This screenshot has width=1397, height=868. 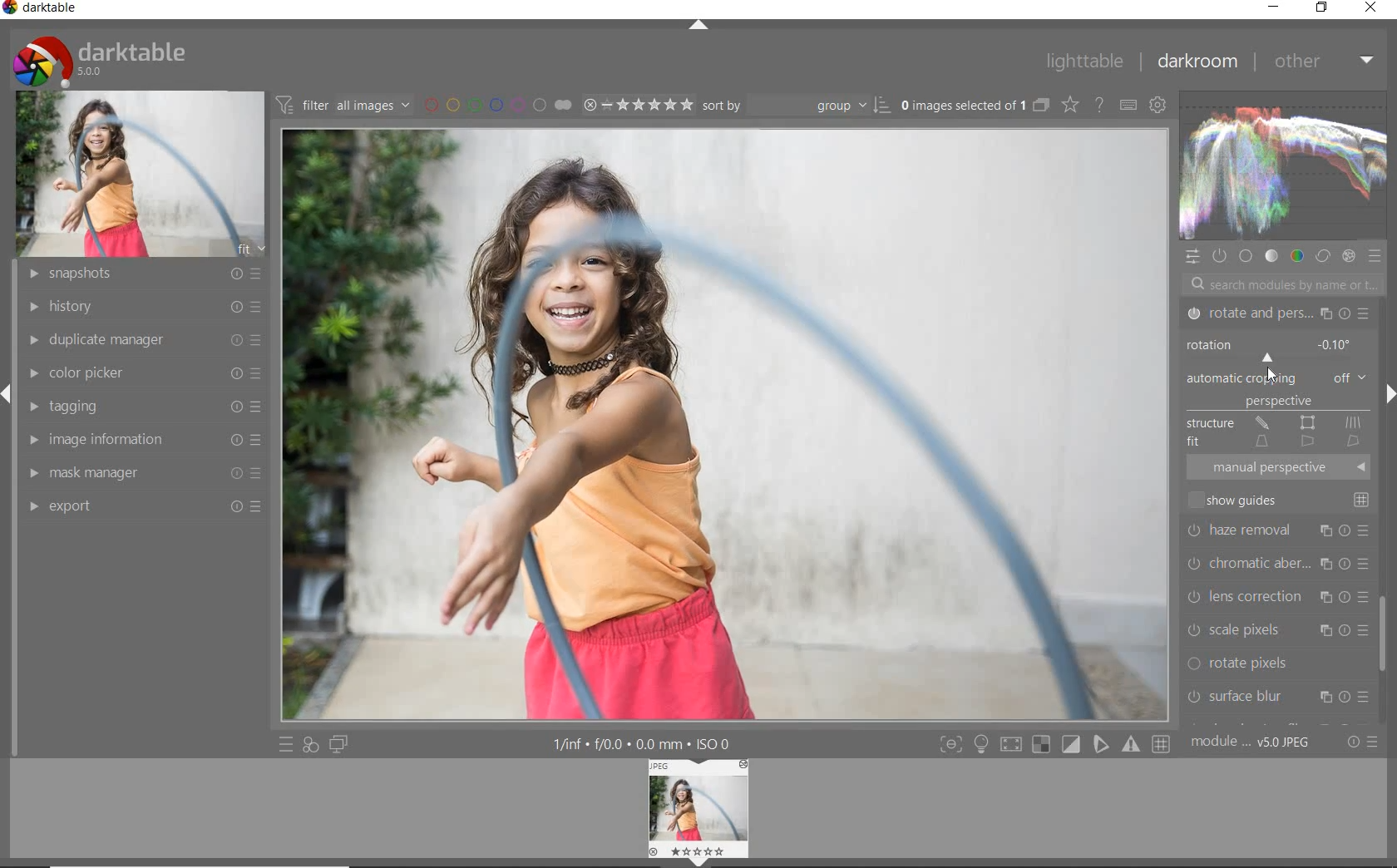 I want to click on duplicate manager, so click(x=146, y=340).